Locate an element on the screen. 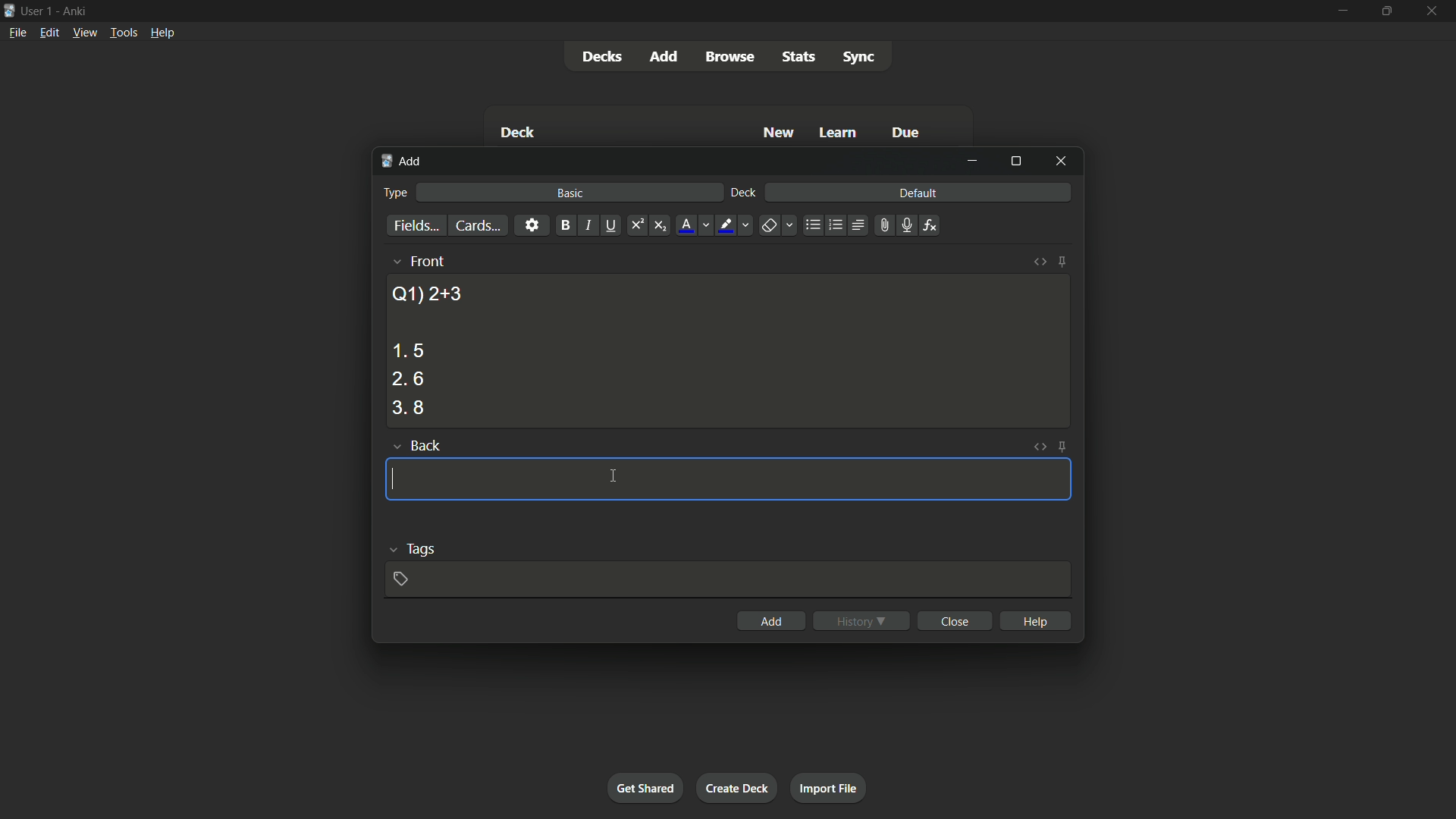  help is located at coordinates (1037, 620).